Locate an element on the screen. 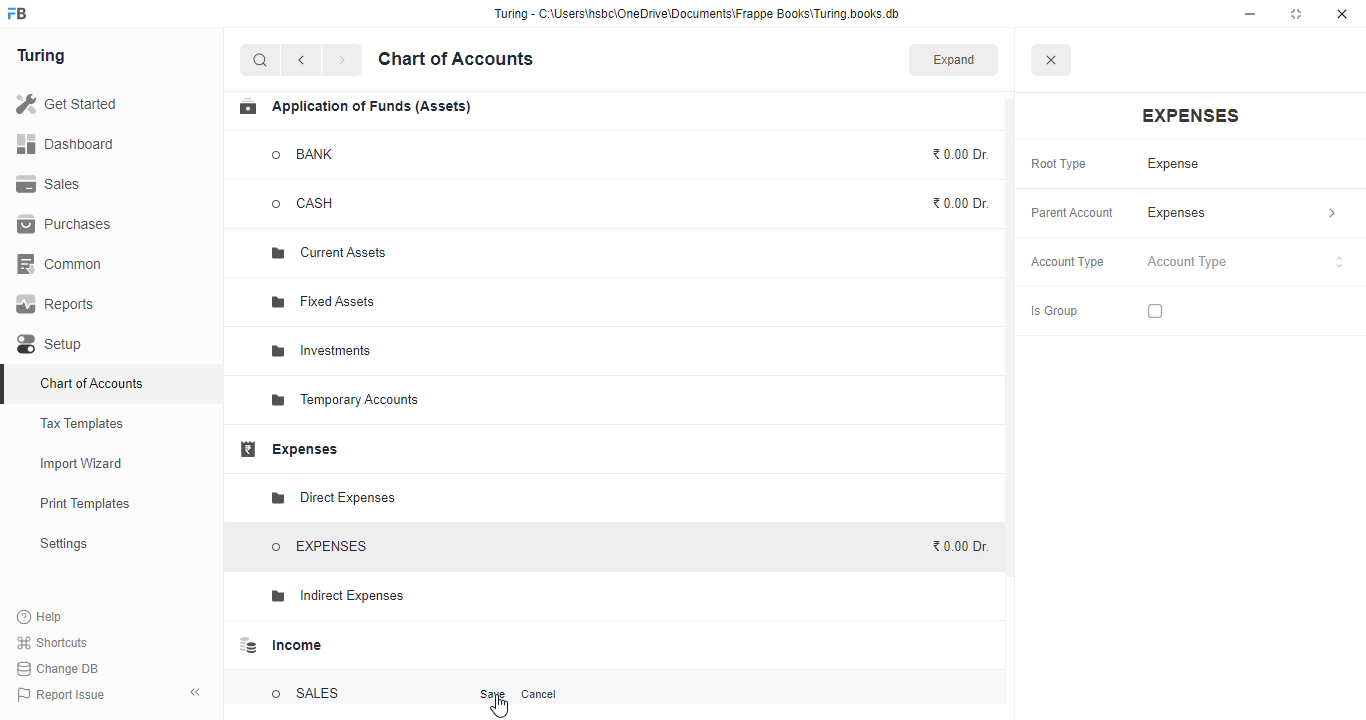 The height and width of the screenshot is (720, 1366). root type is located at coordinates (1059, 165).